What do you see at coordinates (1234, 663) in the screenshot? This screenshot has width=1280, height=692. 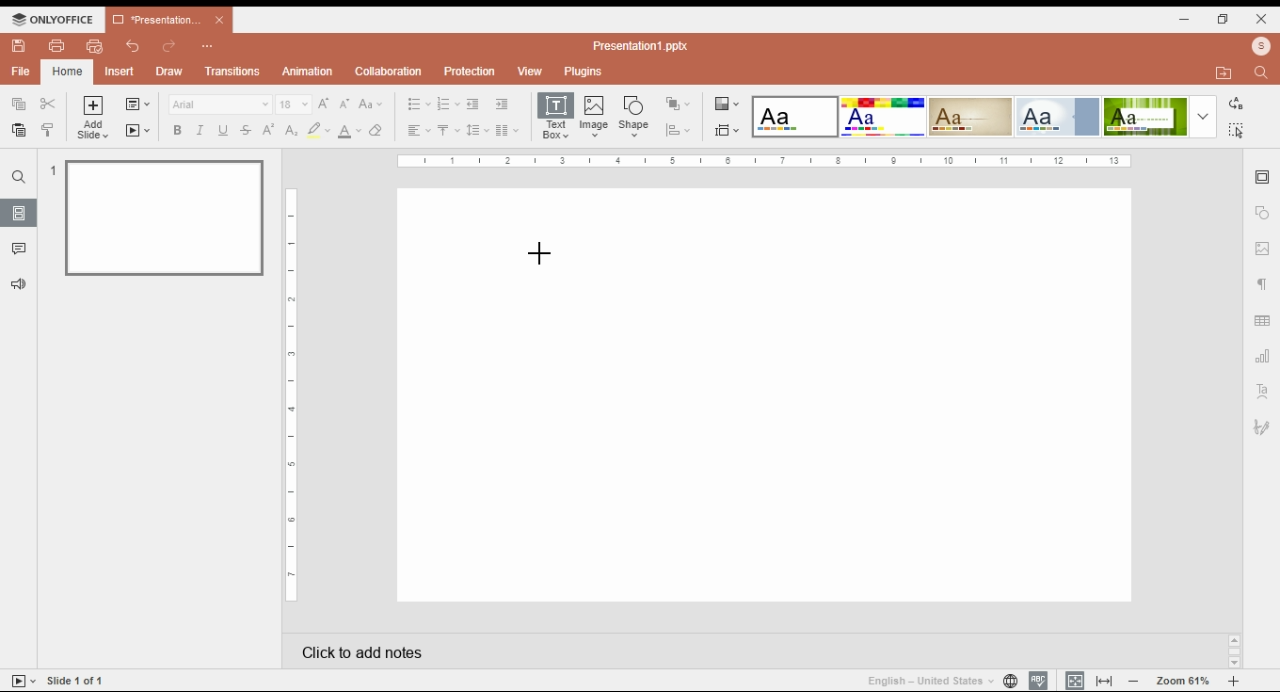 I see `scroll down` at bounding box center [1234, 663].